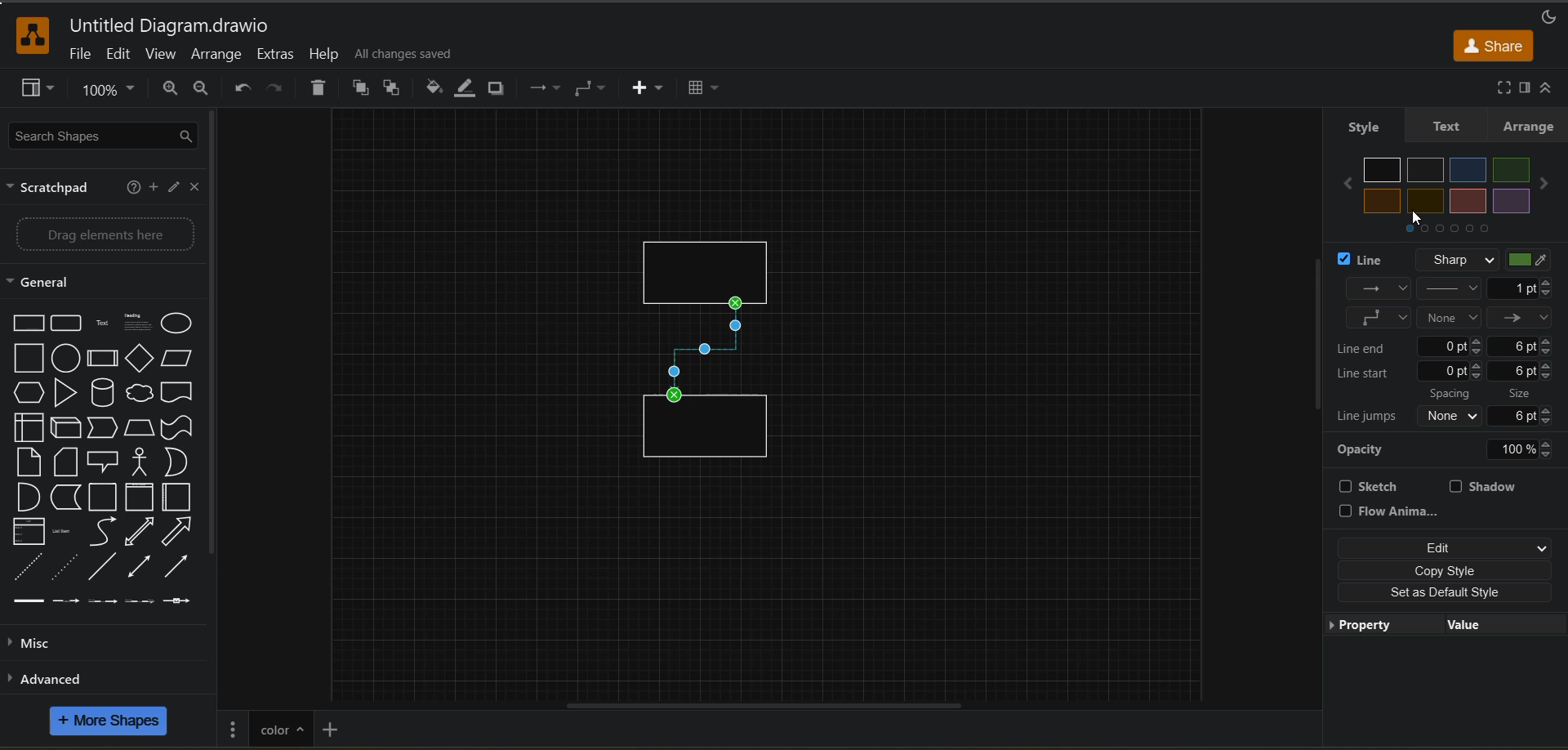 The width and height of the screenshot is (1568, 750). I want to click on Rectangle, so click(25, 323).